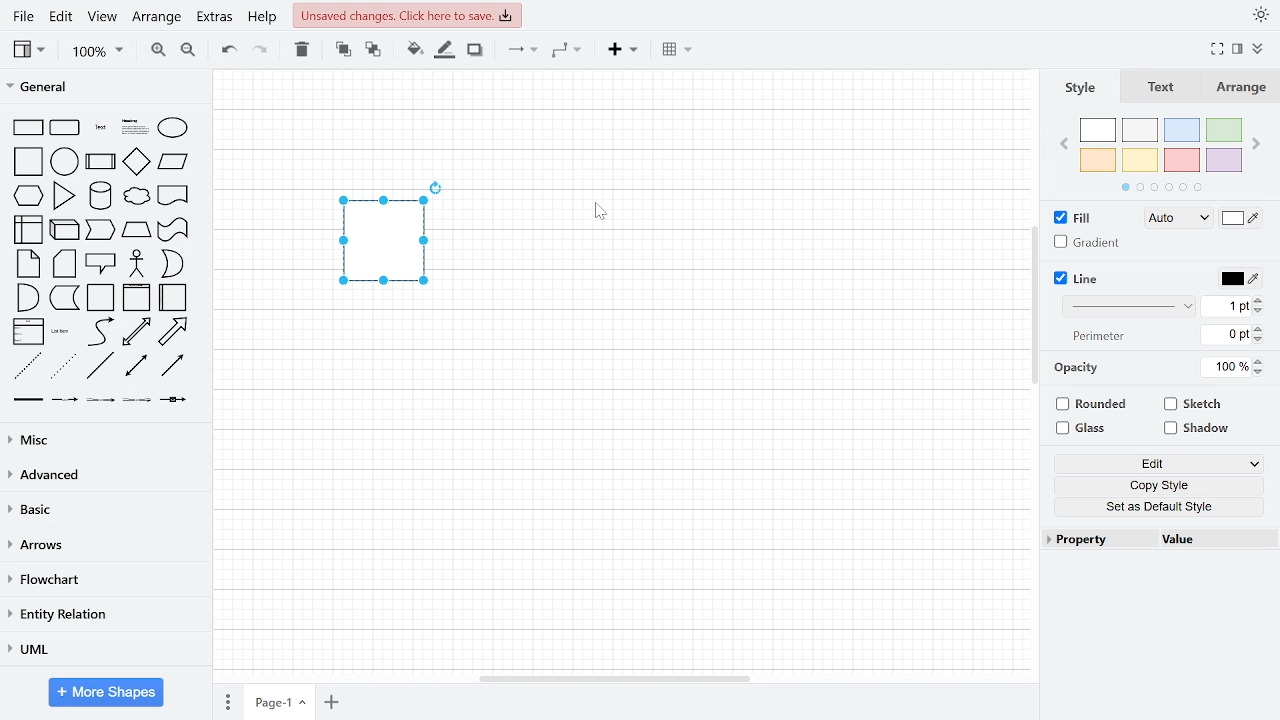 This screenshot has width=1280, height=720. What do you see at coordinates (1064, 145) in the screenshot?
I see `previous` at bounding box center [1064, 145].